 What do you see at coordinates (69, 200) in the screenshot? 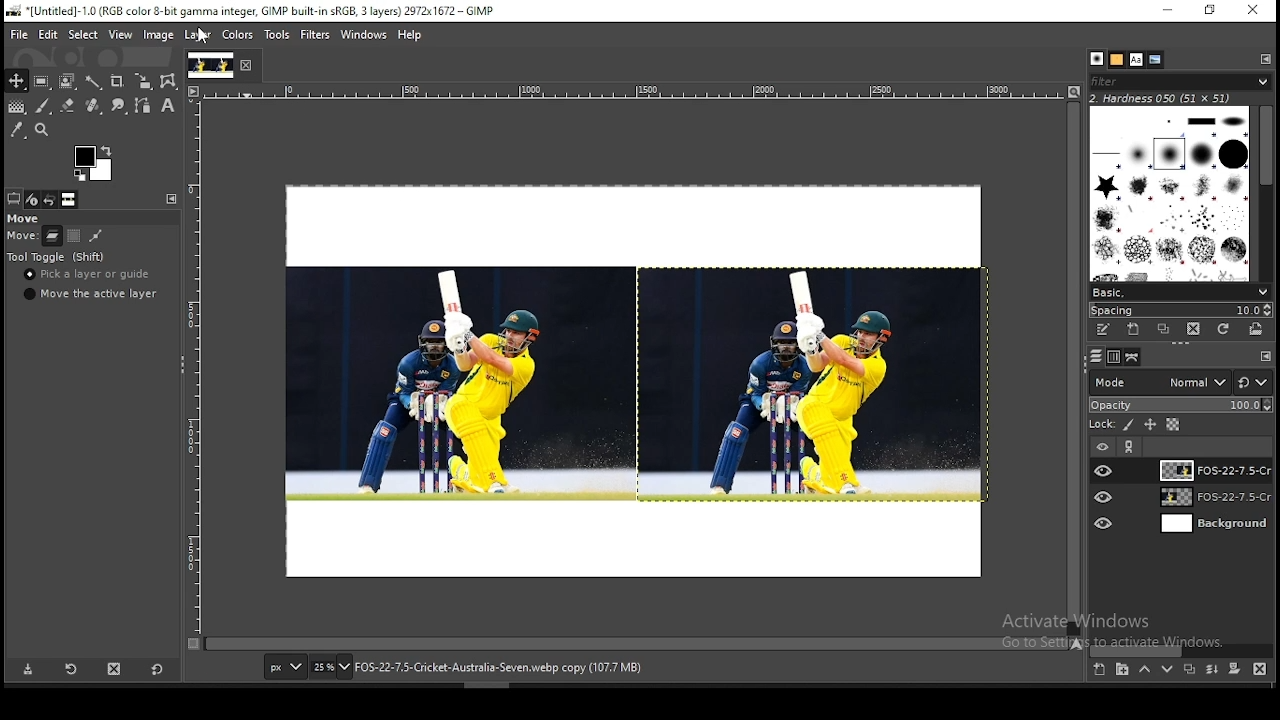
I see `images` at bounding box center [69, 200].